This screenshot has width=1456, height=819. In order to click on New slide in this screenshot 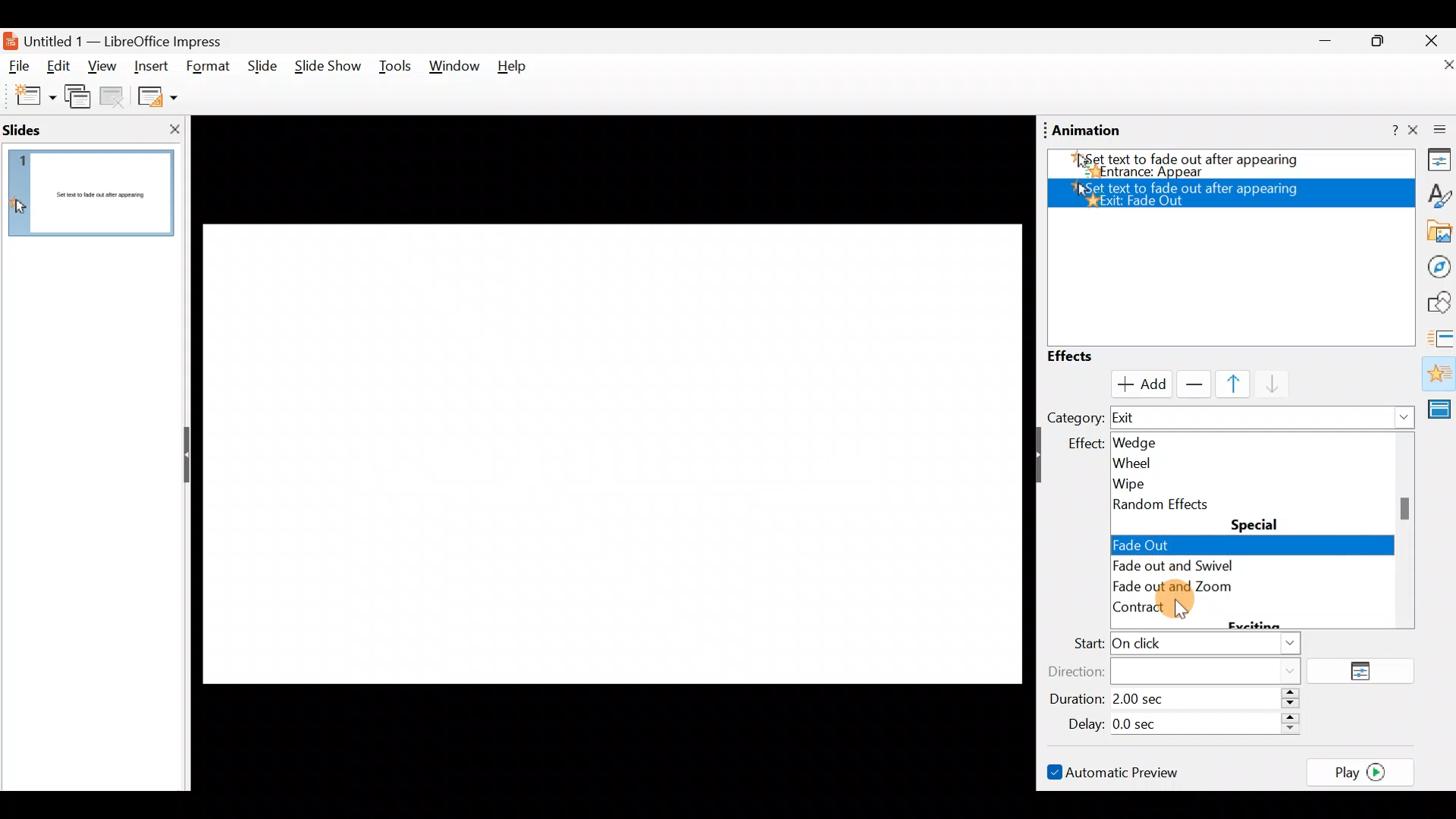, I will do `click(28, 96)`.